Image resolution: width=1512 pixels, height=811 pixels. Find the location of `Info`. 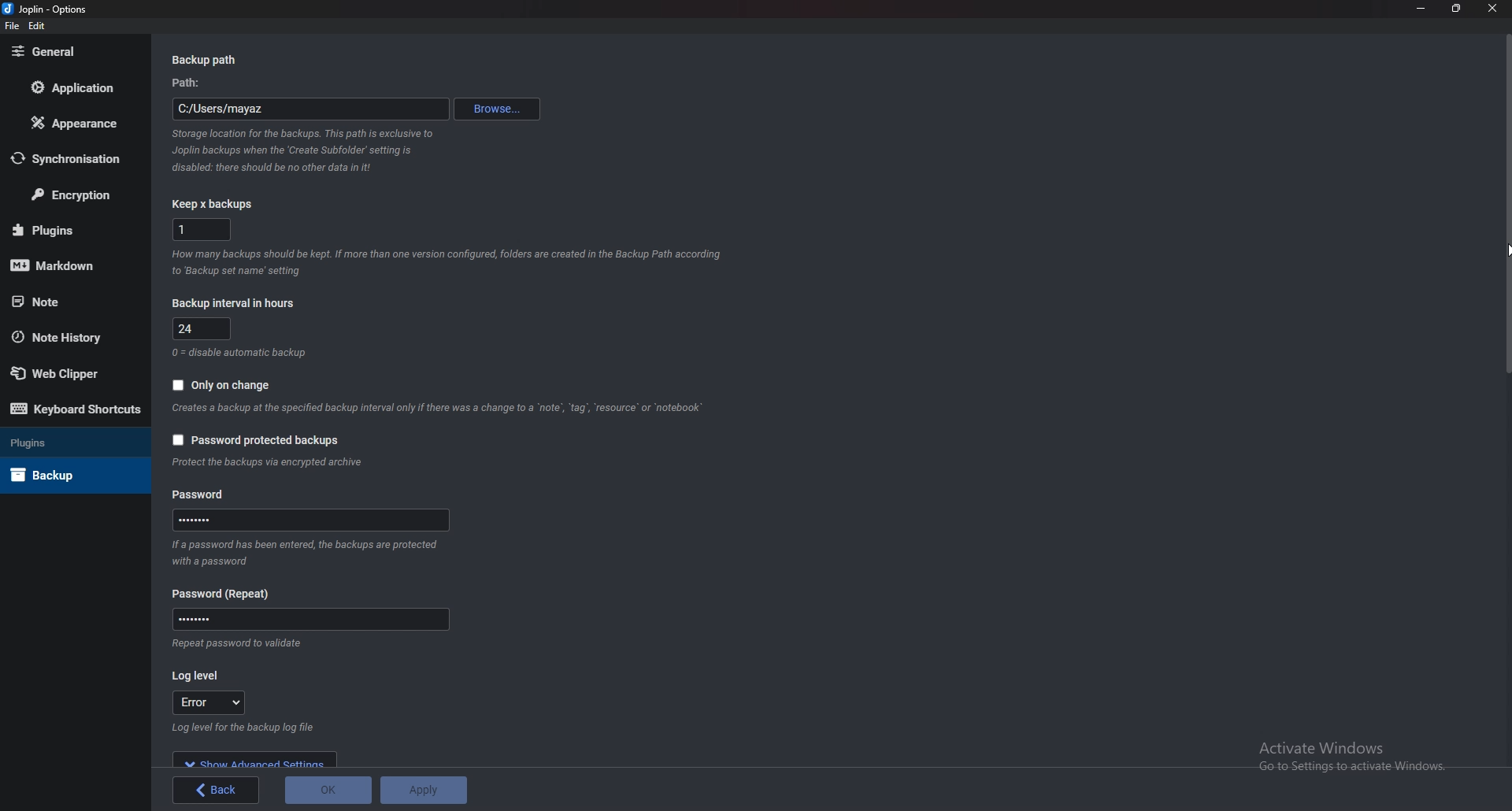

Info is located at coordinates (439, 409).